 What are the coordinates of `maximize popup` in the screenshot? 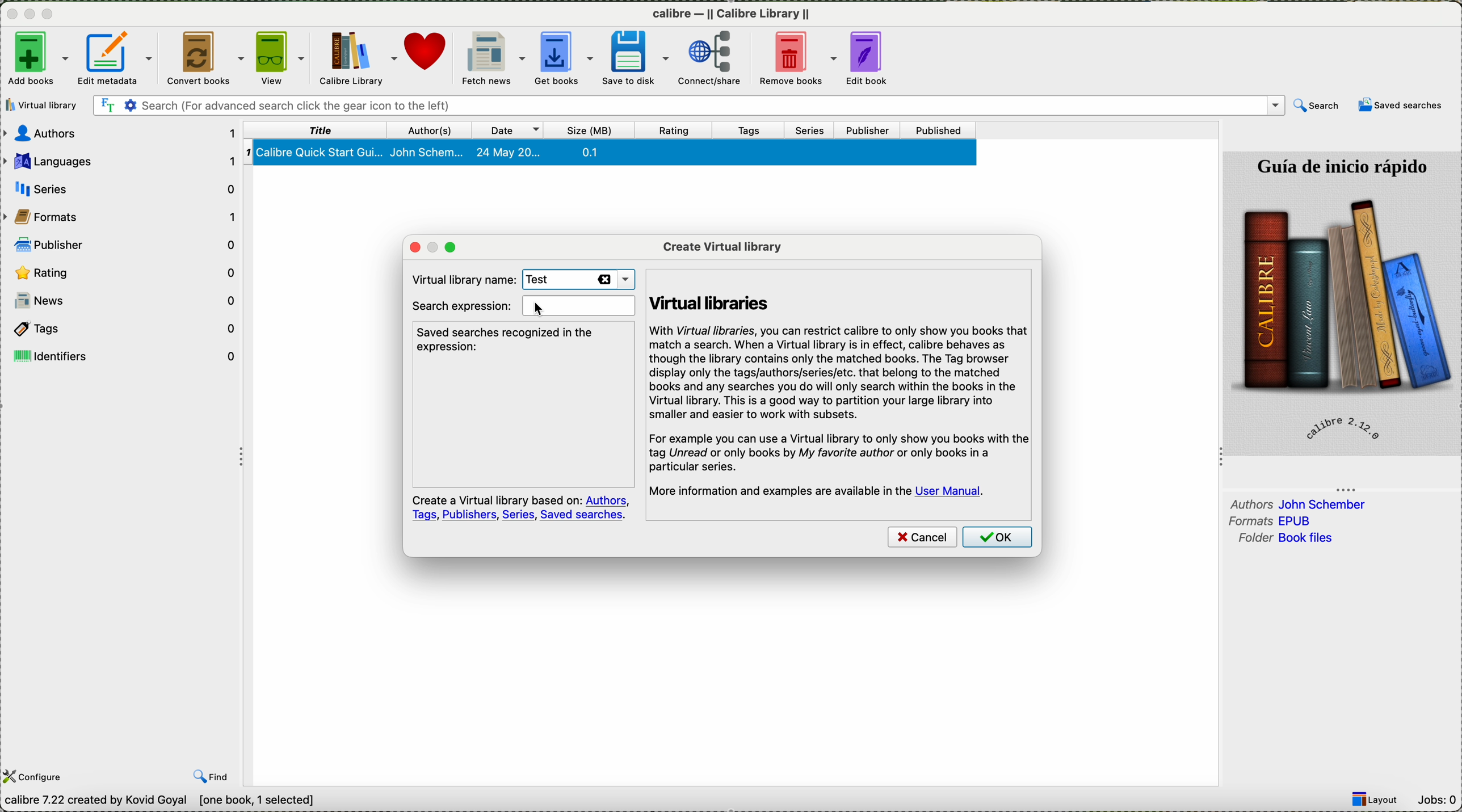 It's located at (456, 247).